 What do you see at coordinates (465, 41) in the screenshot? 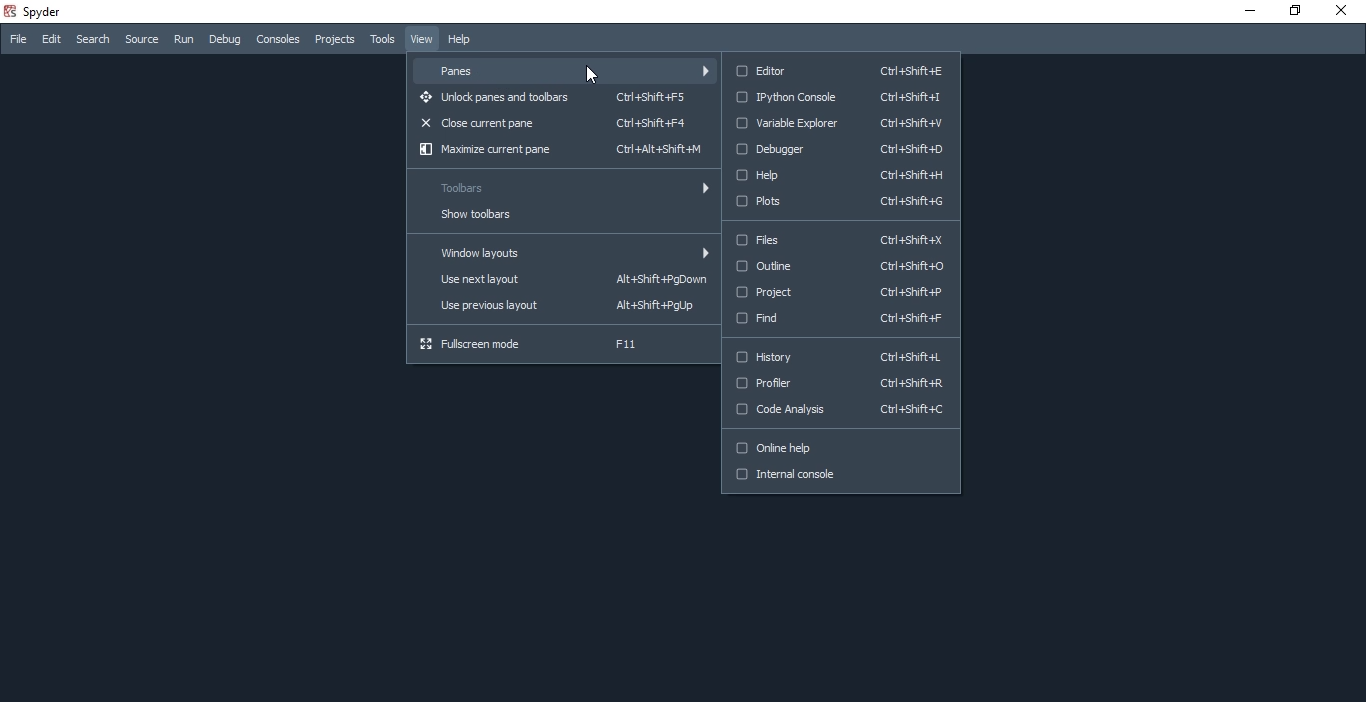
I see `Help` at bounding box center [465, 41].